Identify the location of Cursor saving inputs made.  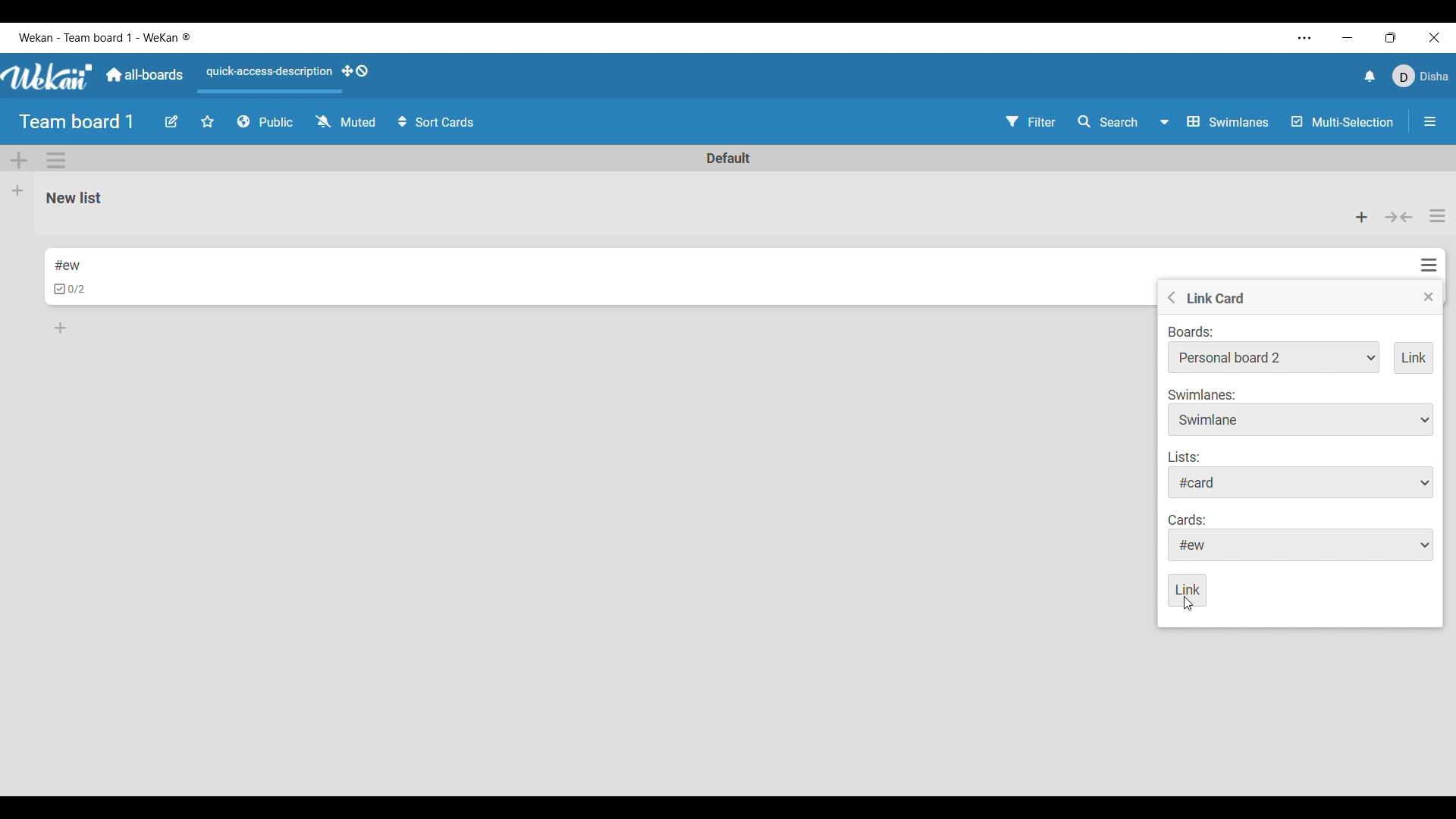
(1188, 603).